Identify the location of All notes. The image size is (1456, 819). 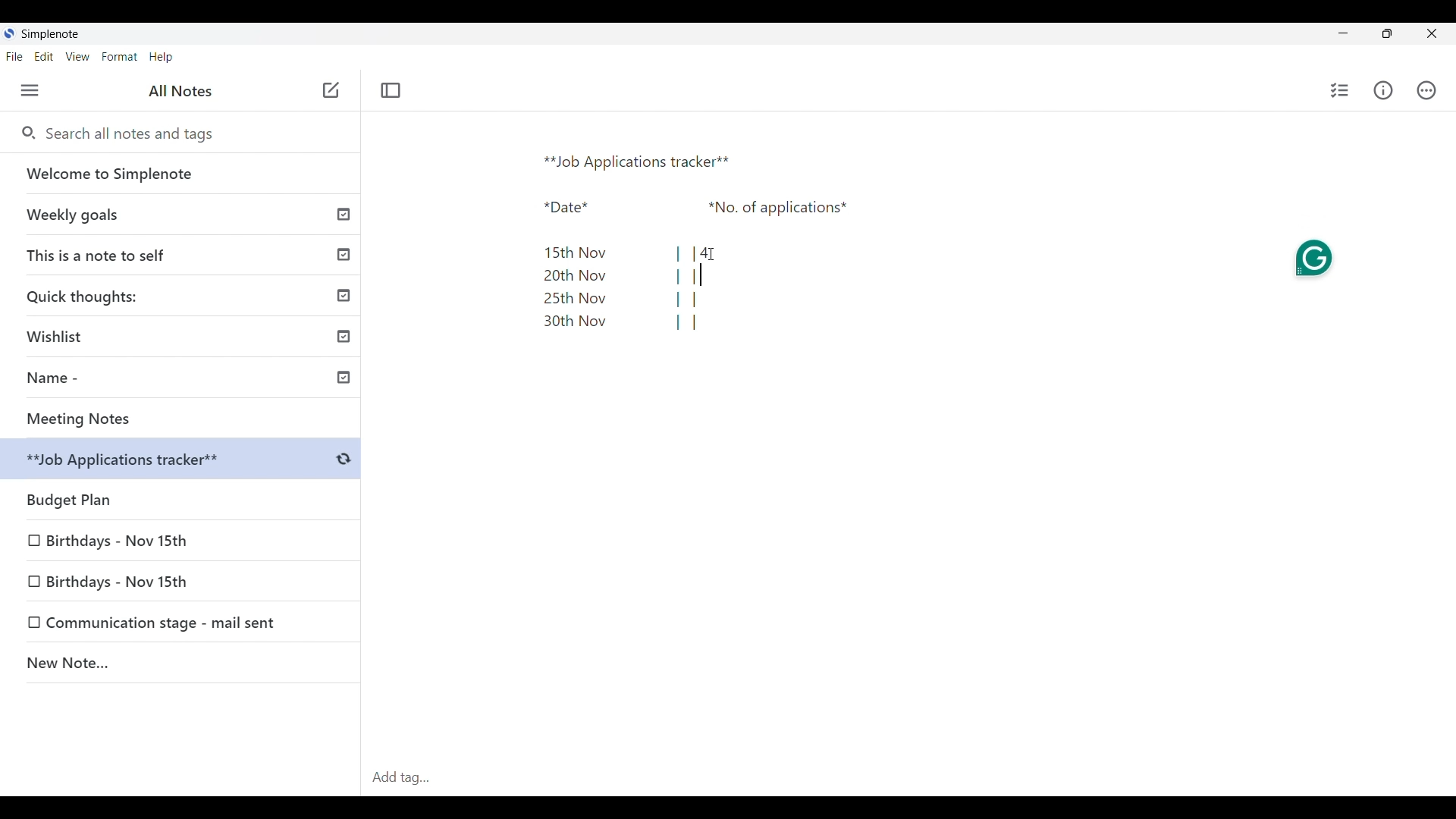
(180, 90).